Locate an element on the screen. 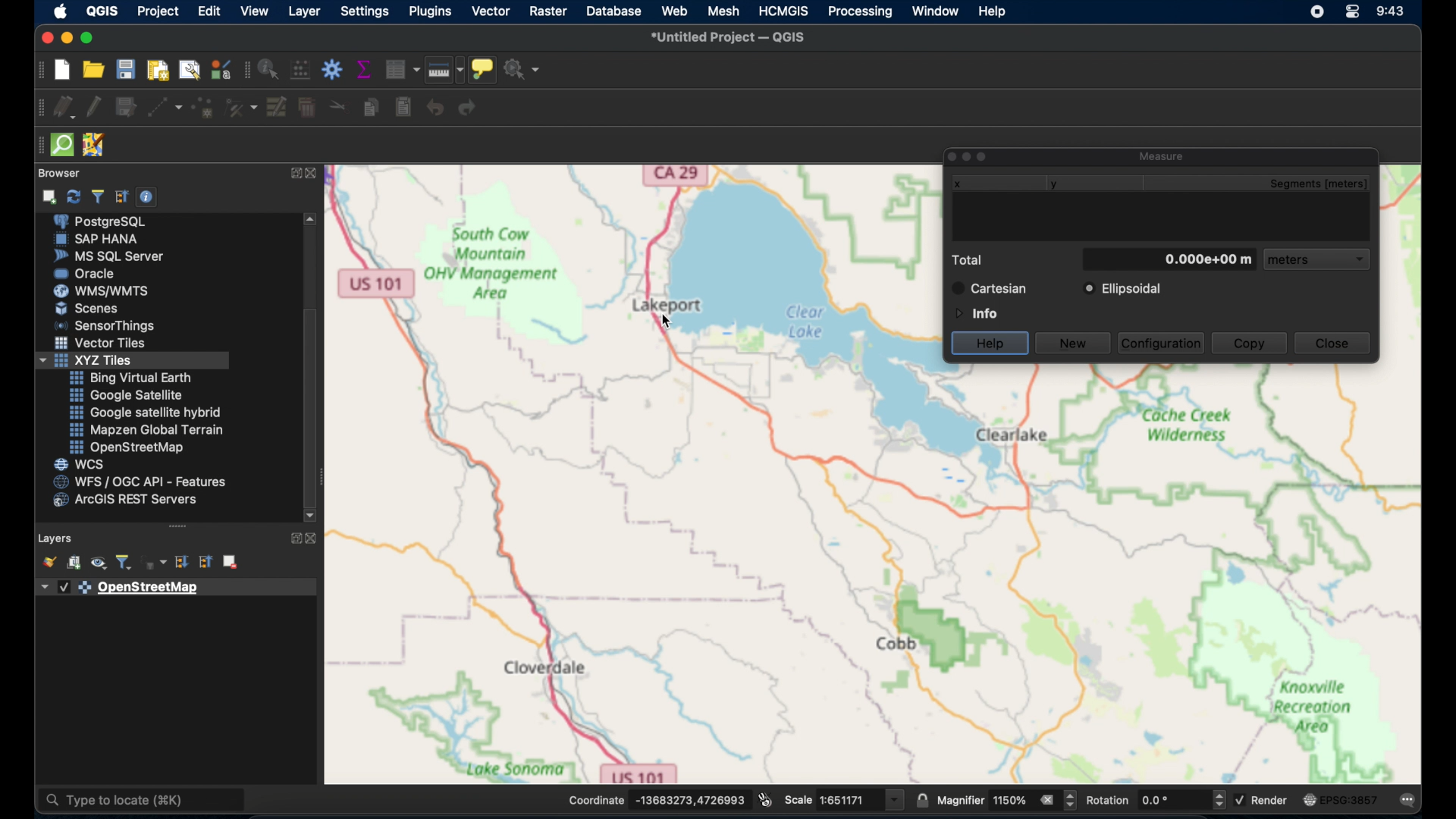  mapzen global. terrain is located at coordinates (144, 428).